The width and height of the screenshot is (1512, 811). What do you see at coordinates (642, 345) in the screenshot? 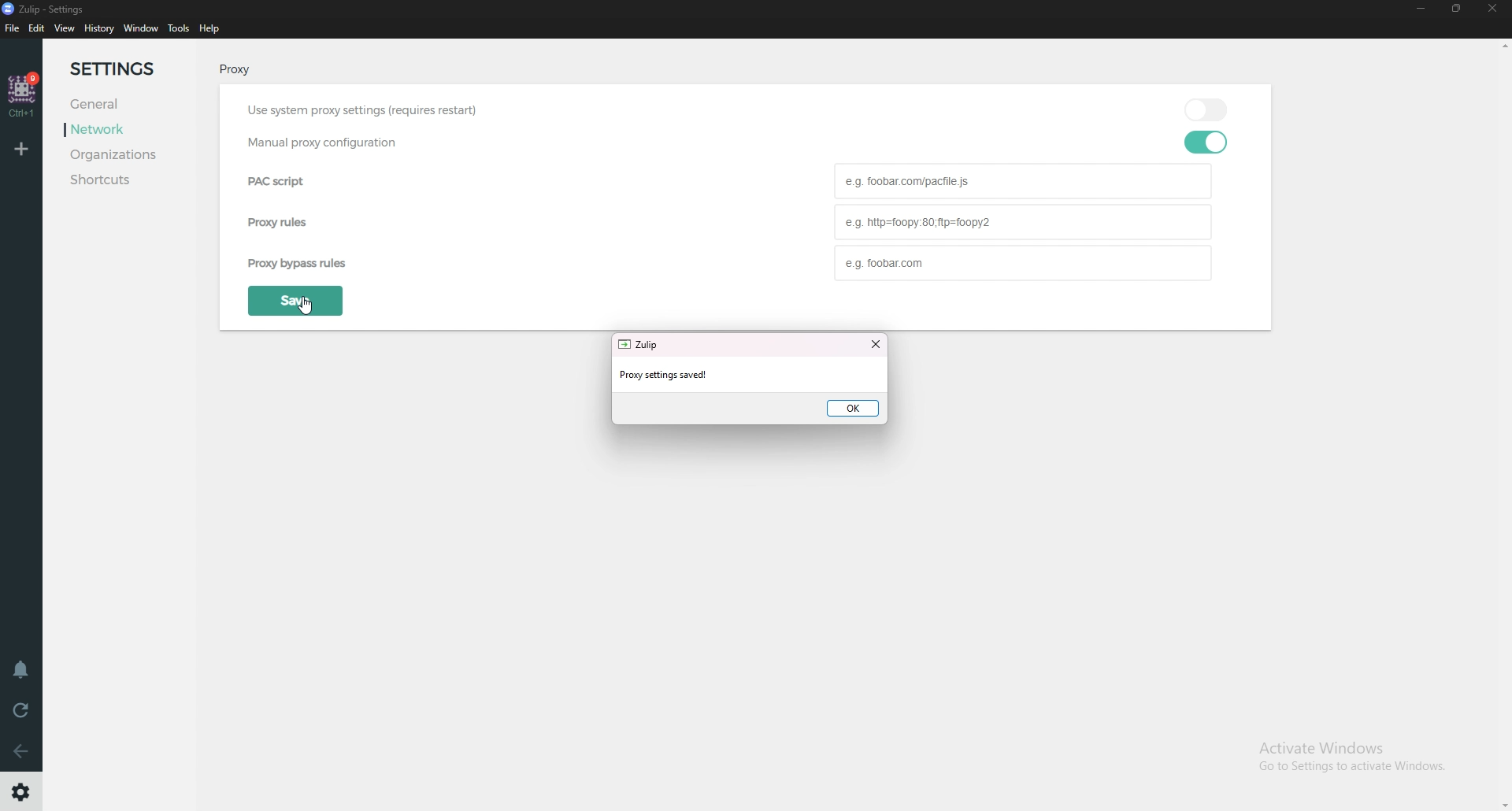
I see `zulip` at bounding box center [642, 345].